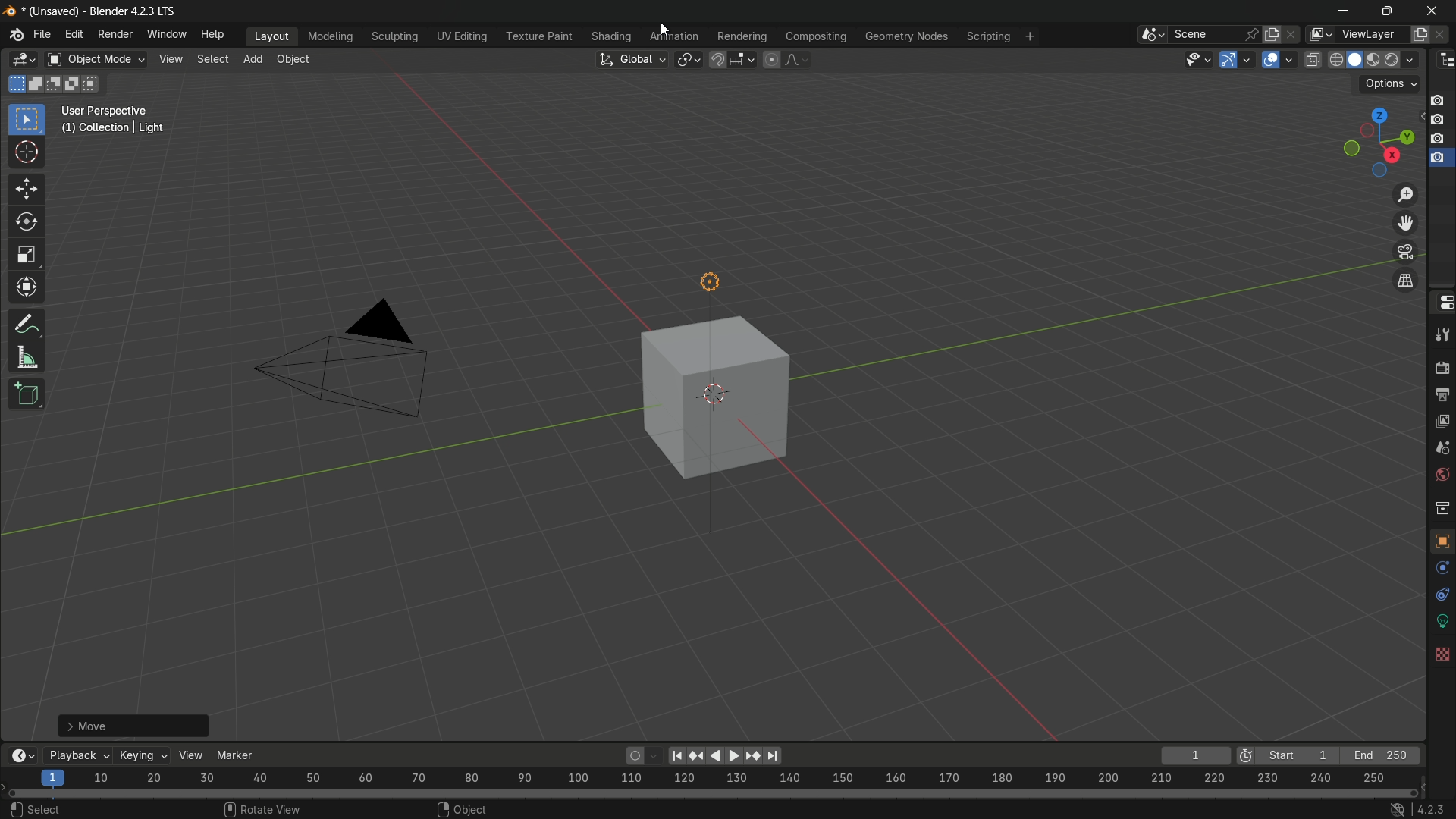 Image resolution: width=1456 pixels, height=819 pixels. What do you see at coordinates (96, 60) in the screenshot?
I see `object mode` at bounding box center [96, 60].